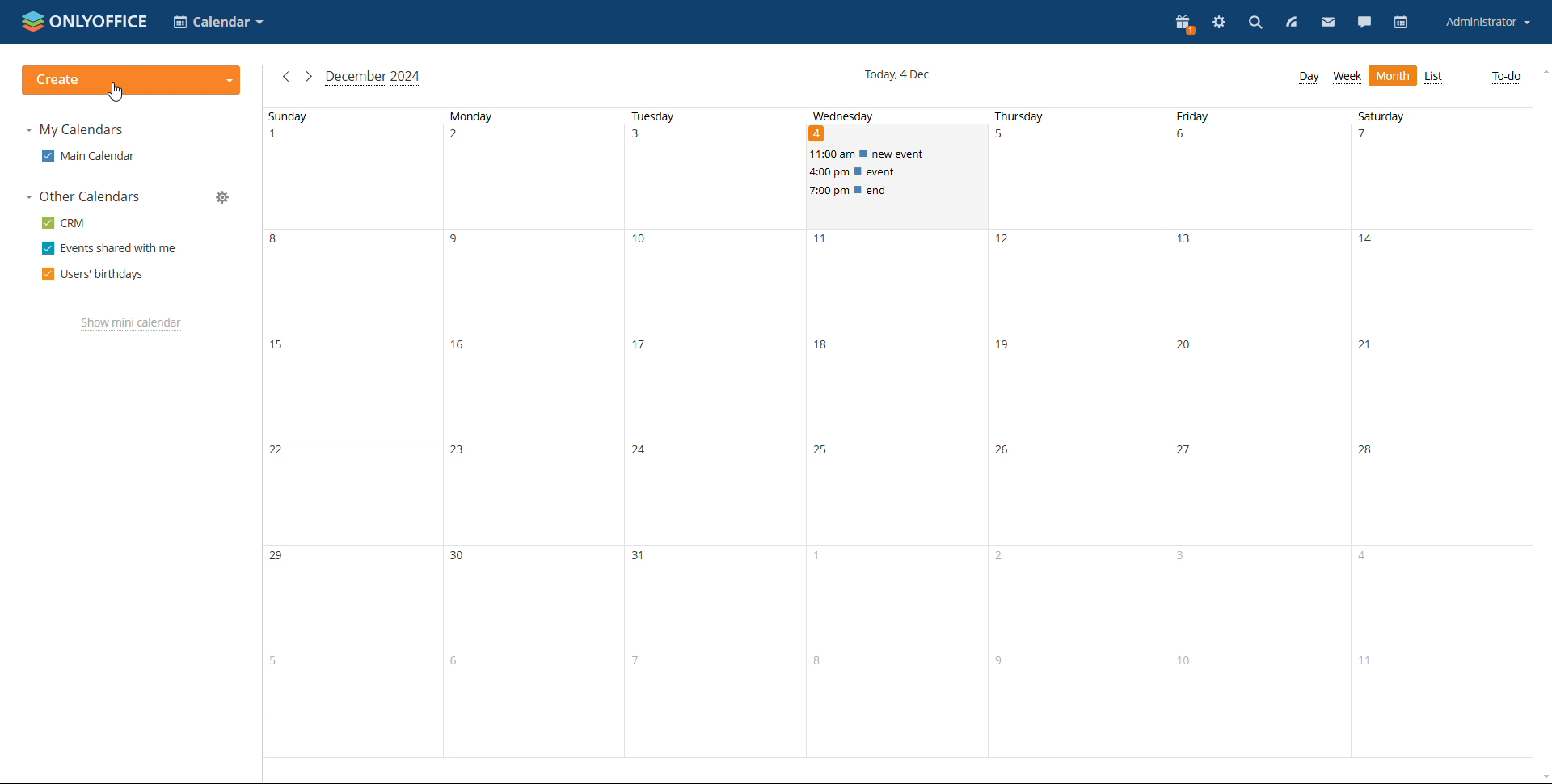  Describe the element at coordinates (373, 78) in the screenshot. I see `current month` at that location.